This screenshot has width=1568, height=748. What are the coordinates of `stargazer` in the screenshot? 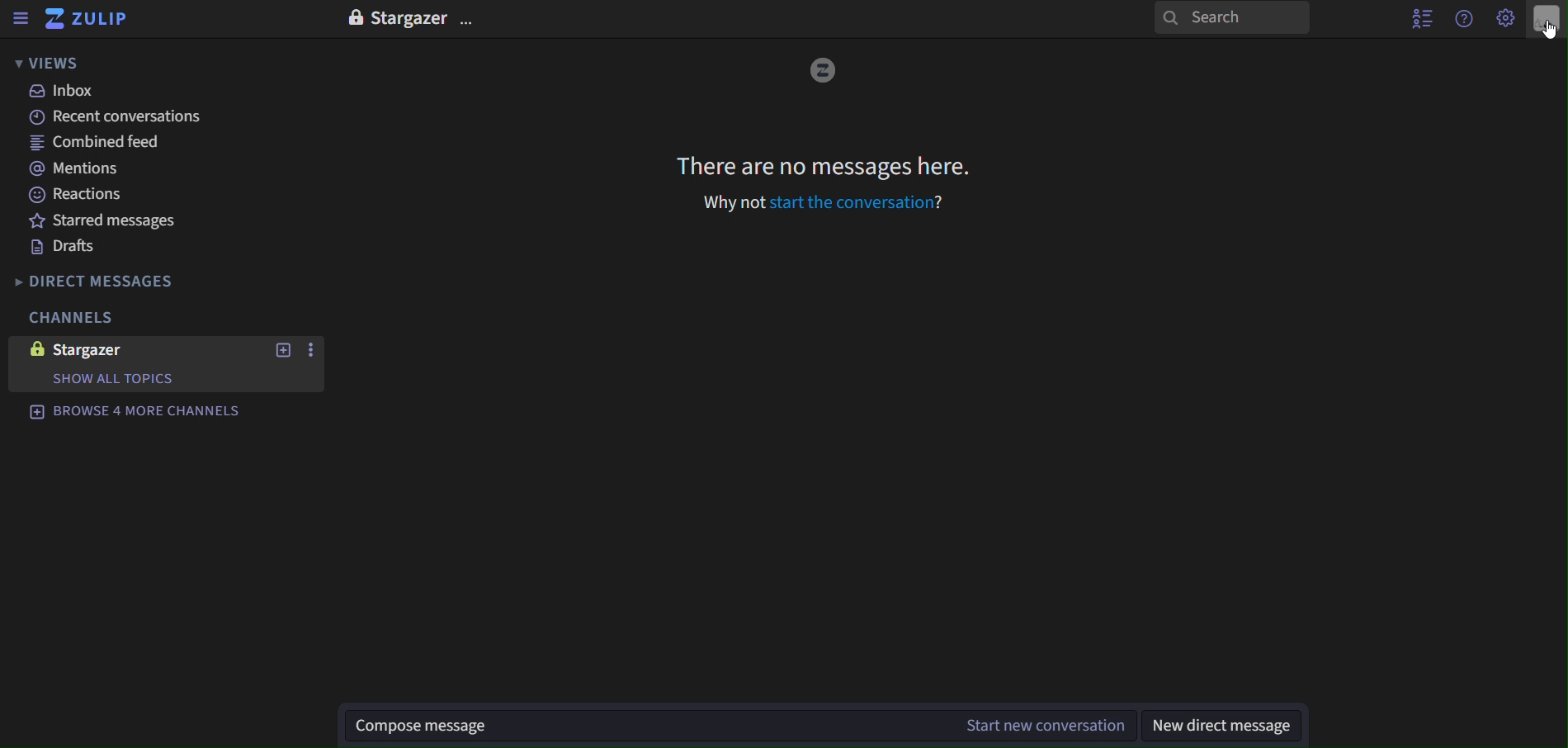 It's located at (394, 17).